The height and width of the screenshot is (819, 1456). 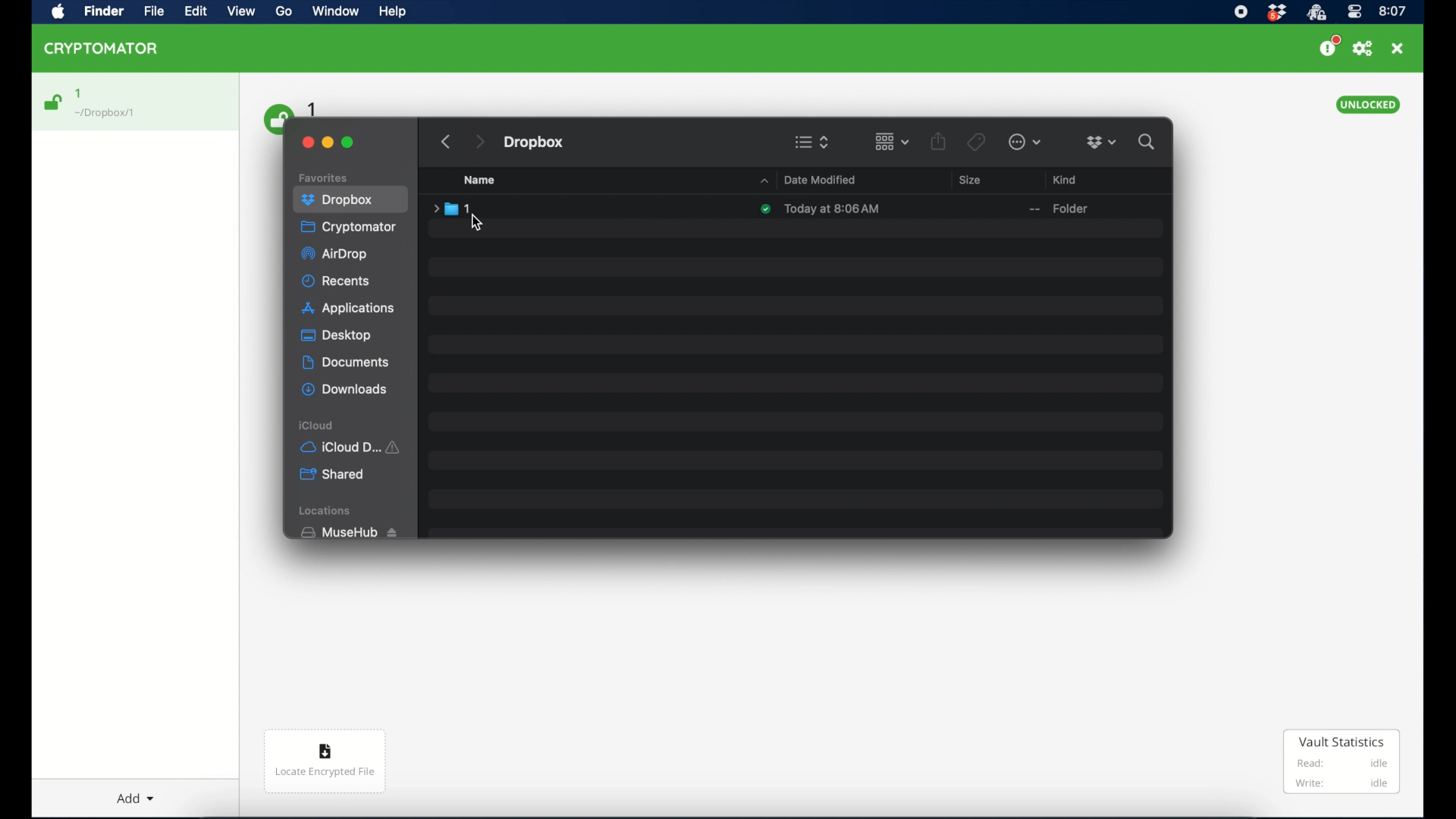 I want to click on previous, so click(x=446, y=141).